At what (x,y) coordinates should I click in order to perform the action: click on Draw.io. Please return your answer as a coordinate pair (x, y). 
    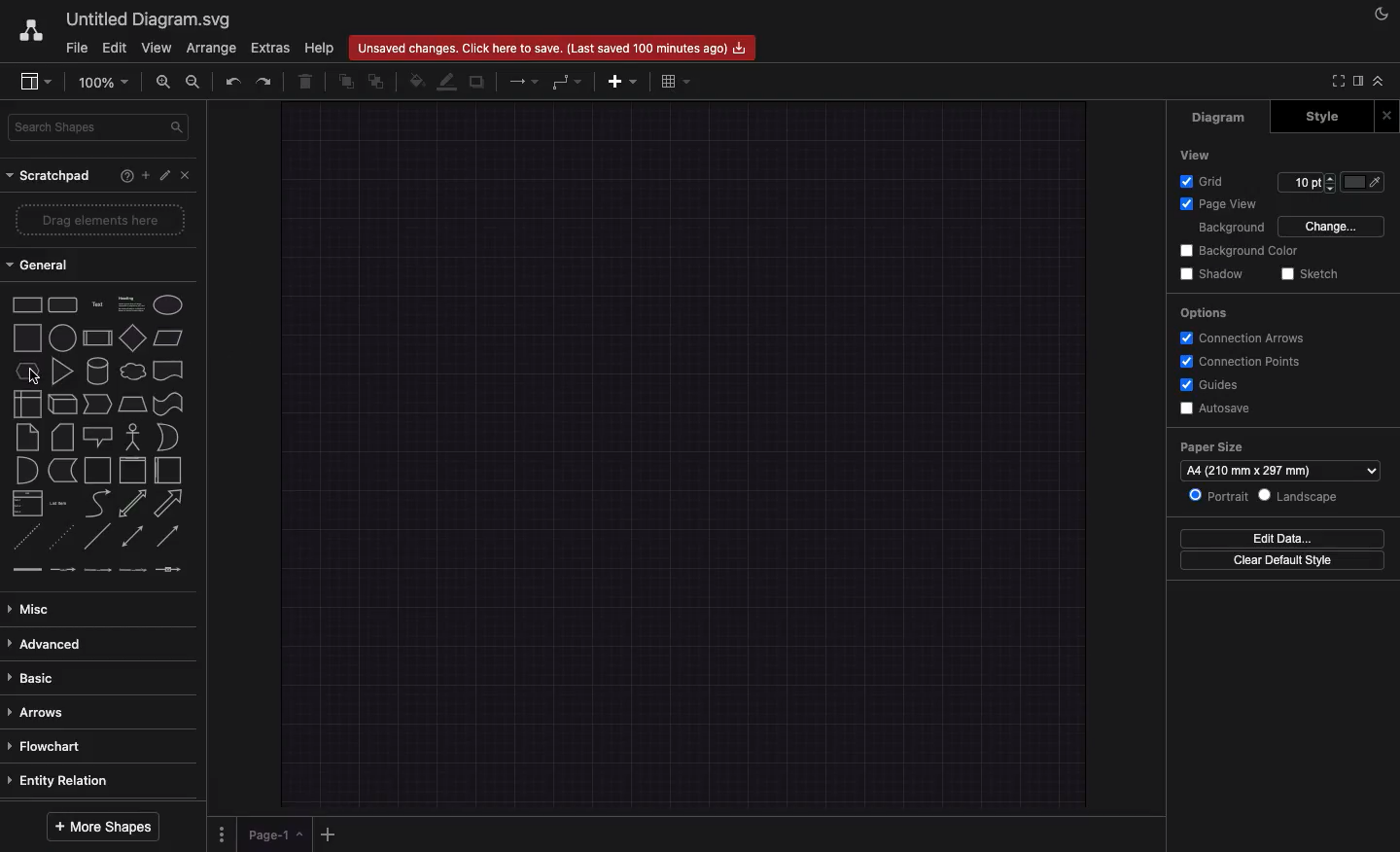
    Looking at the image, I should click on (30, 34).